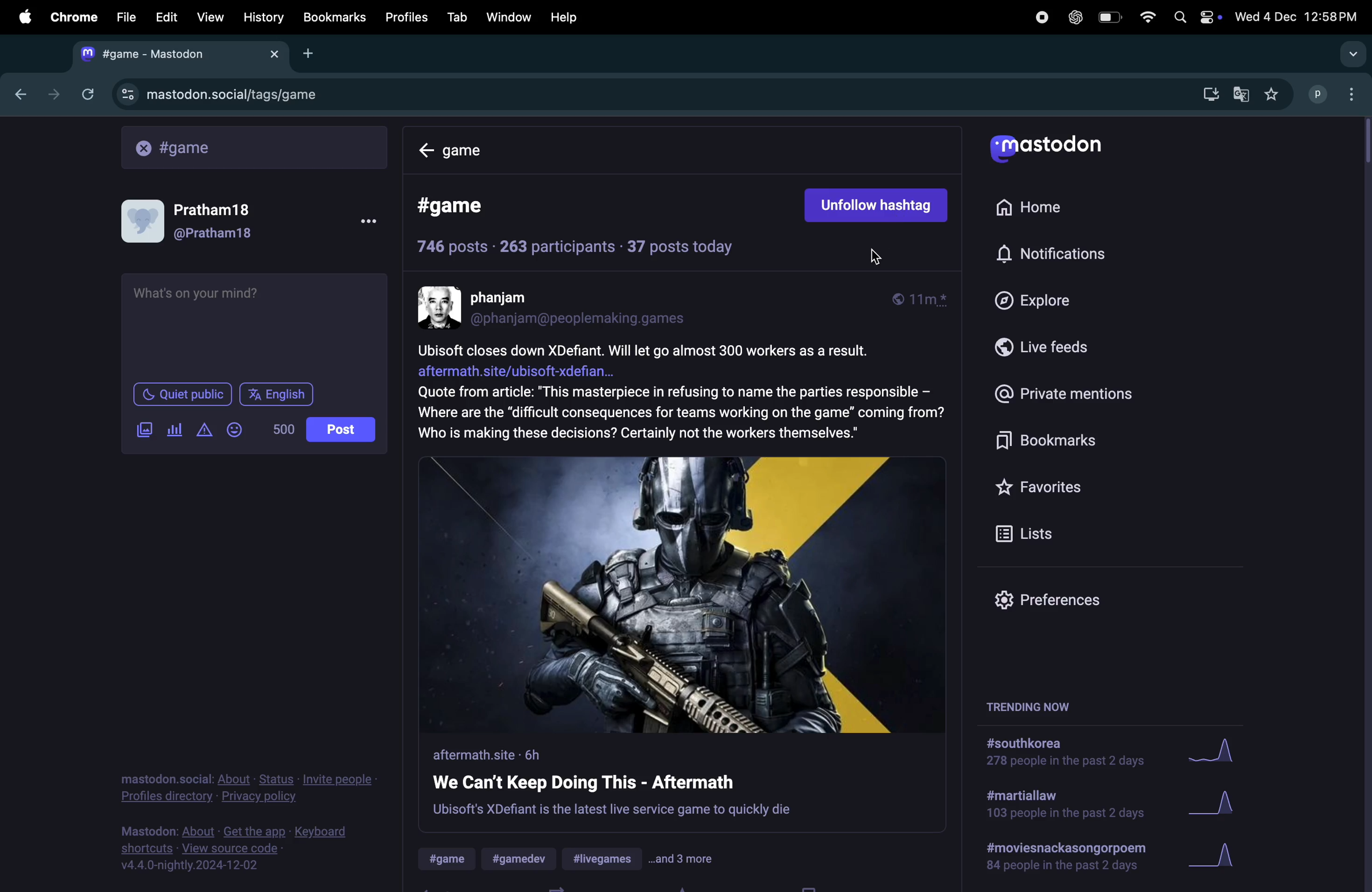 Image resolution: width=1372 pixels, height=892 pixels. Describe the element at coordinates (1206, 93) in the screenshot. I see `download` at that location.